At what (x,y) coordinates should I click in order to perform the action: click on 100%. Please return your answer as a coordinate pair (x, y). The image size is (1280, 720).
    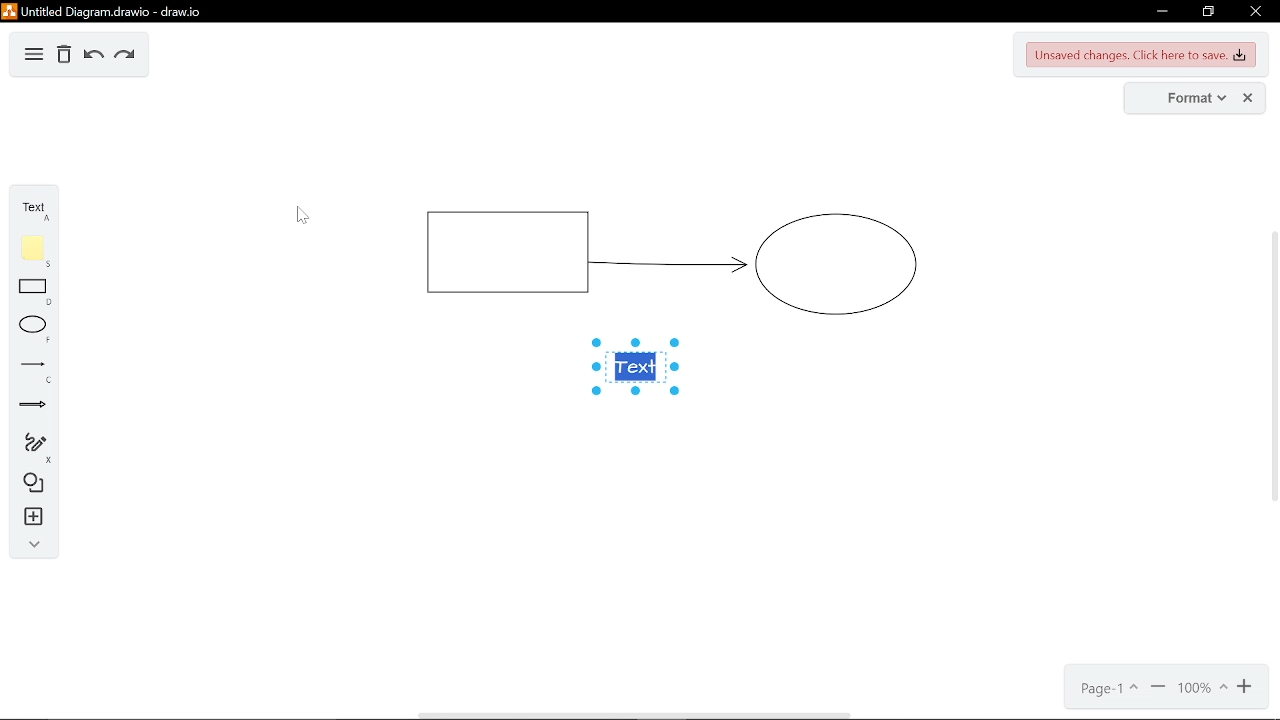
    Looking at the image, I should click on (1201, 688).